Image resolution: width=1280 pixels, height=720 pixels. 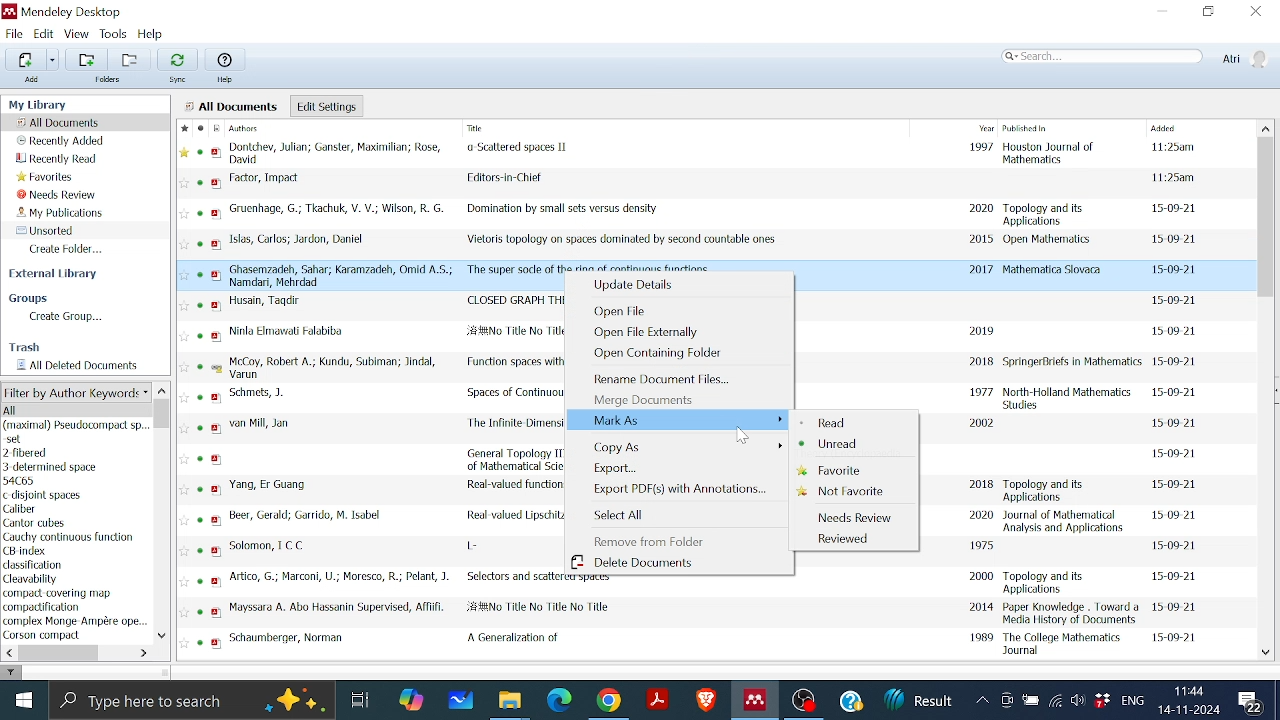 What do you see at coordinates (1102, 56) in the screenshot?
I see `Search` at bounding box center [1102, 56].